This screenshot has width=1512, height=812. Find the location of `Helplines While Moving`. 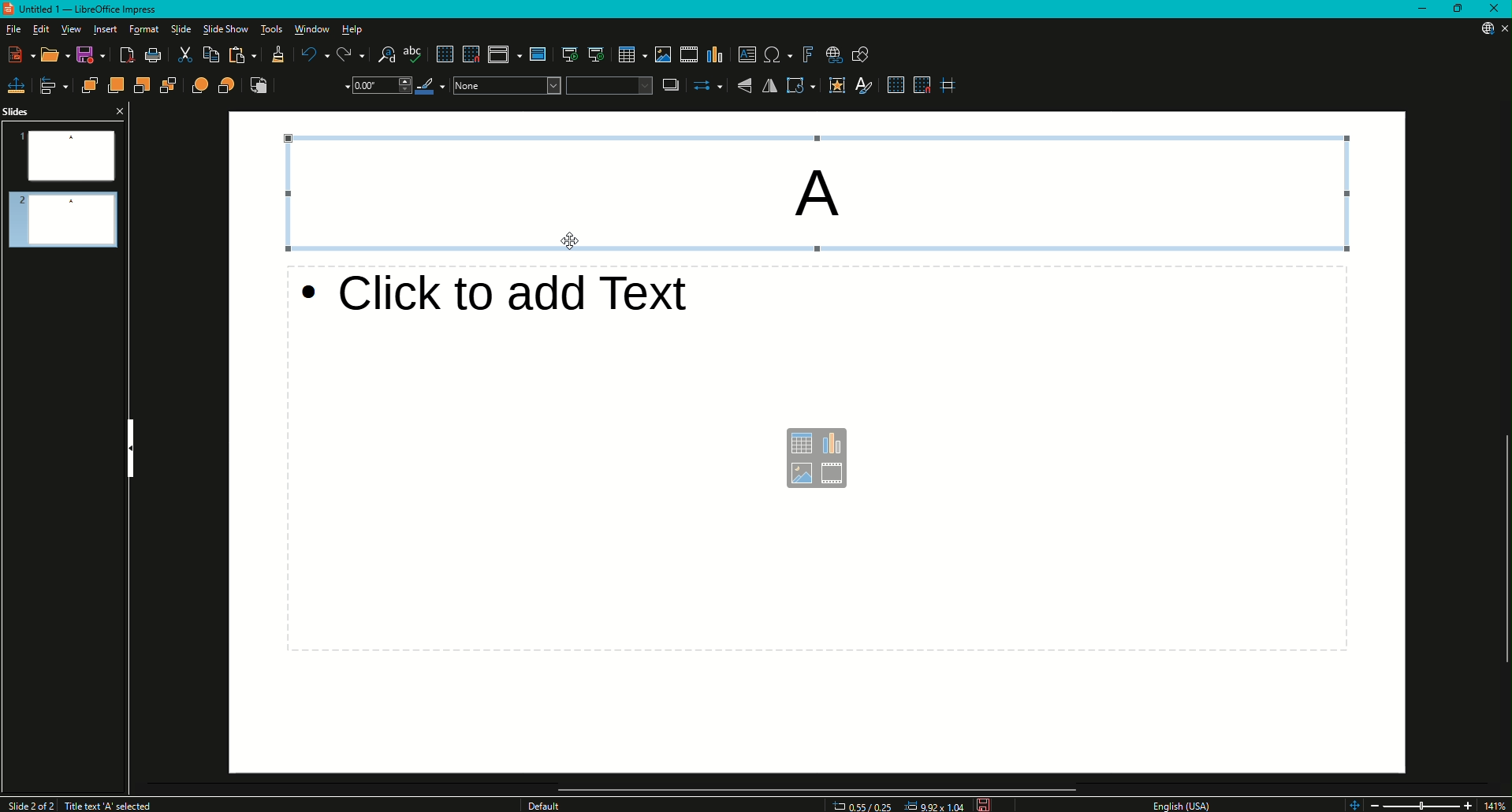

Helplines While Moving is located at coordinates (953, 86).